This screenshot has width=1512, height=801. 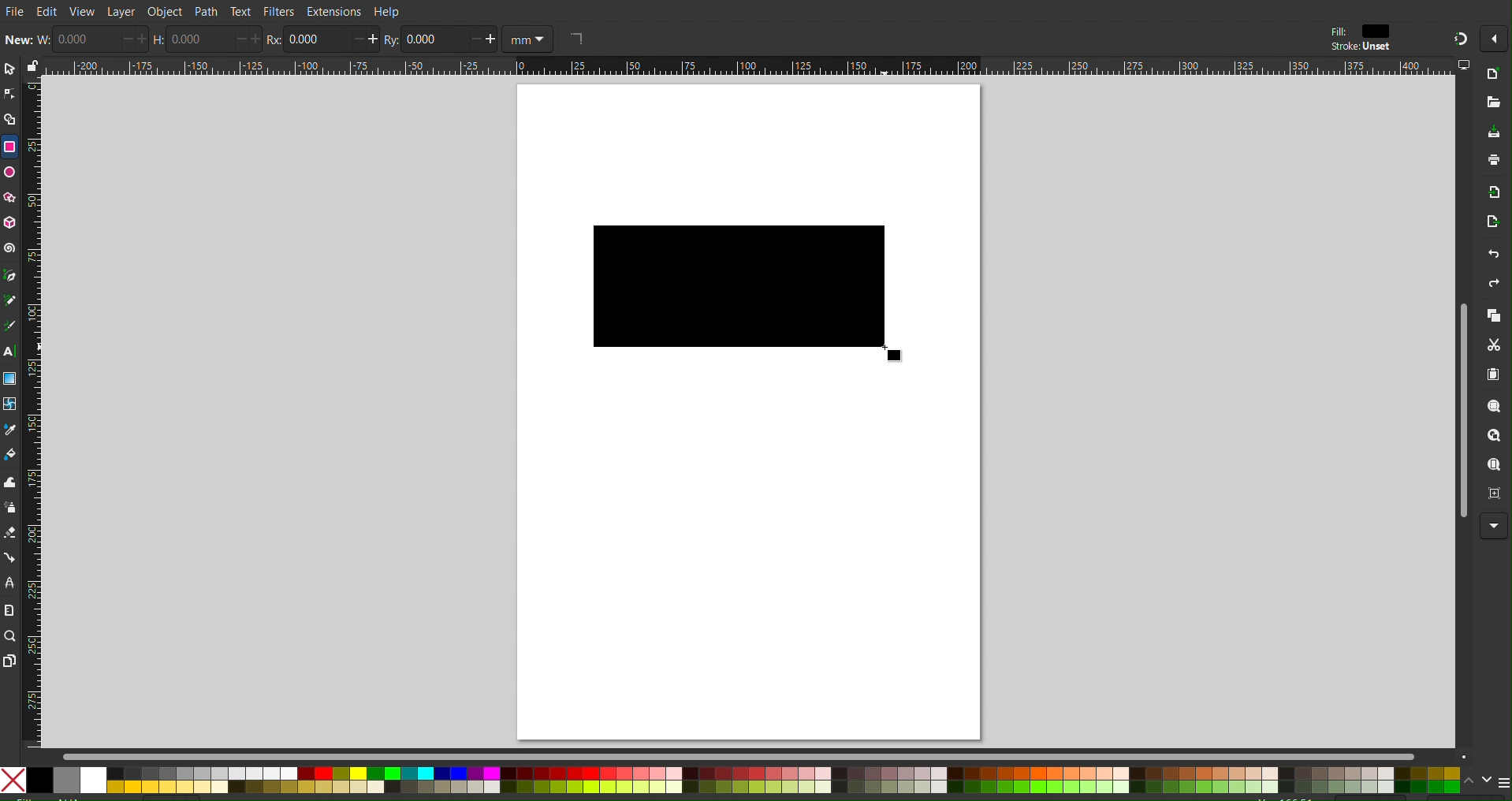 What do you see at coordinates (9, 274) in the screenshot?
I see `Pen Tool` at bounding box center [9, 274].